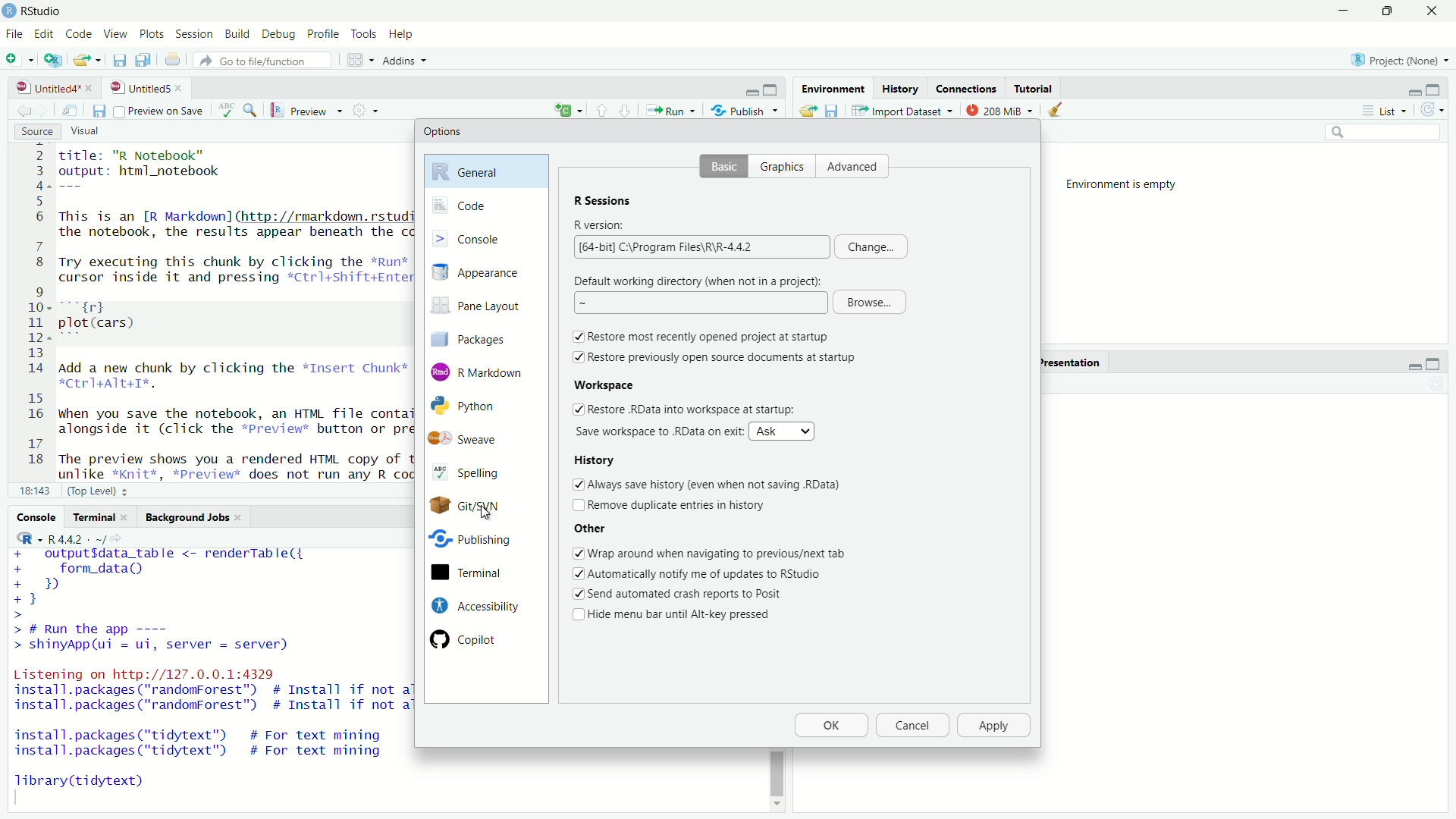  What do you see at coordinates (720, 553) in the screenshot?
I see `Wrap around when navigating to previous/next tab` at bounding box center [720, 553].